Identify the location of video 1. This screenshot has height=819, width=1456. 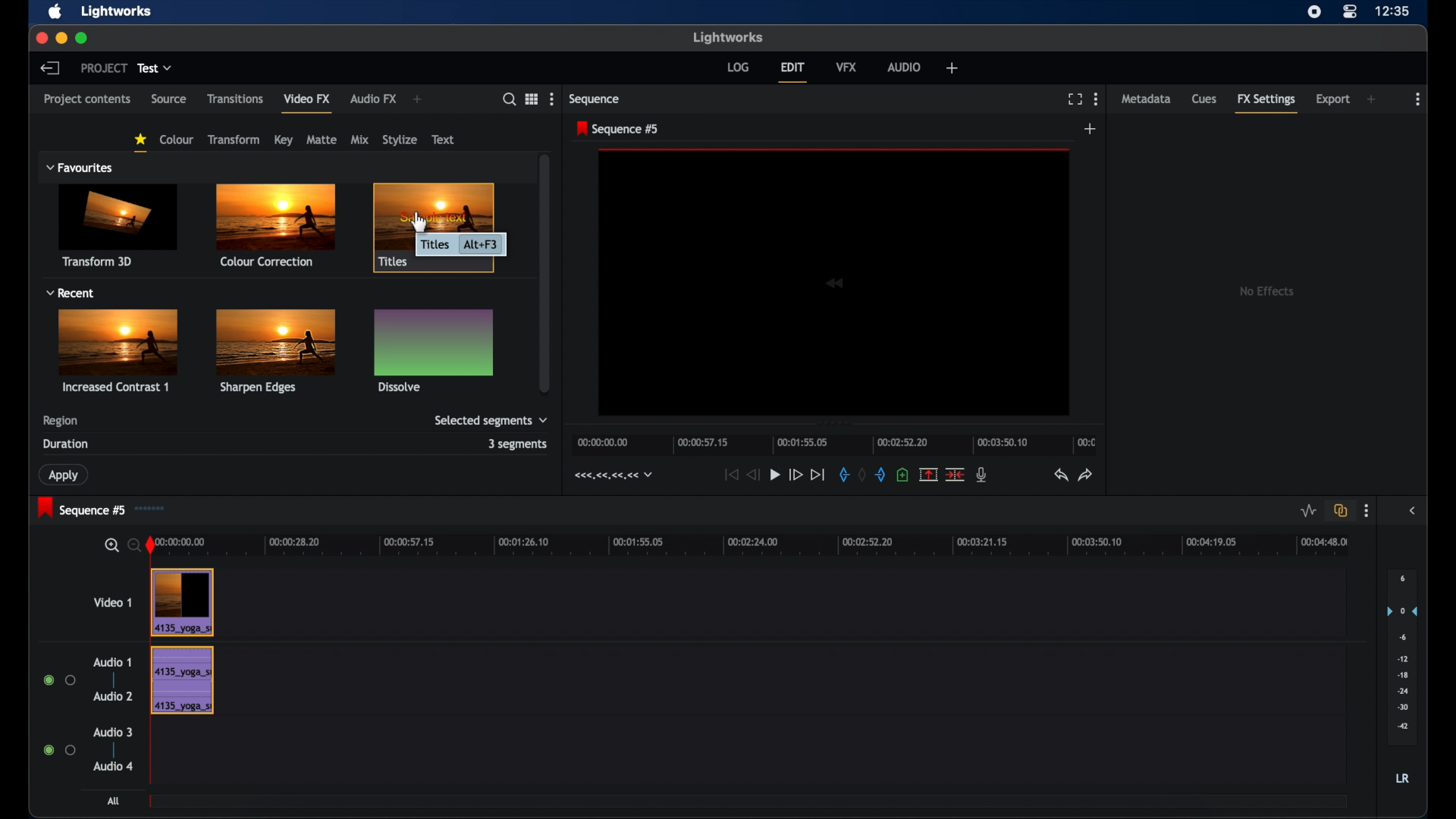
(114, 602).